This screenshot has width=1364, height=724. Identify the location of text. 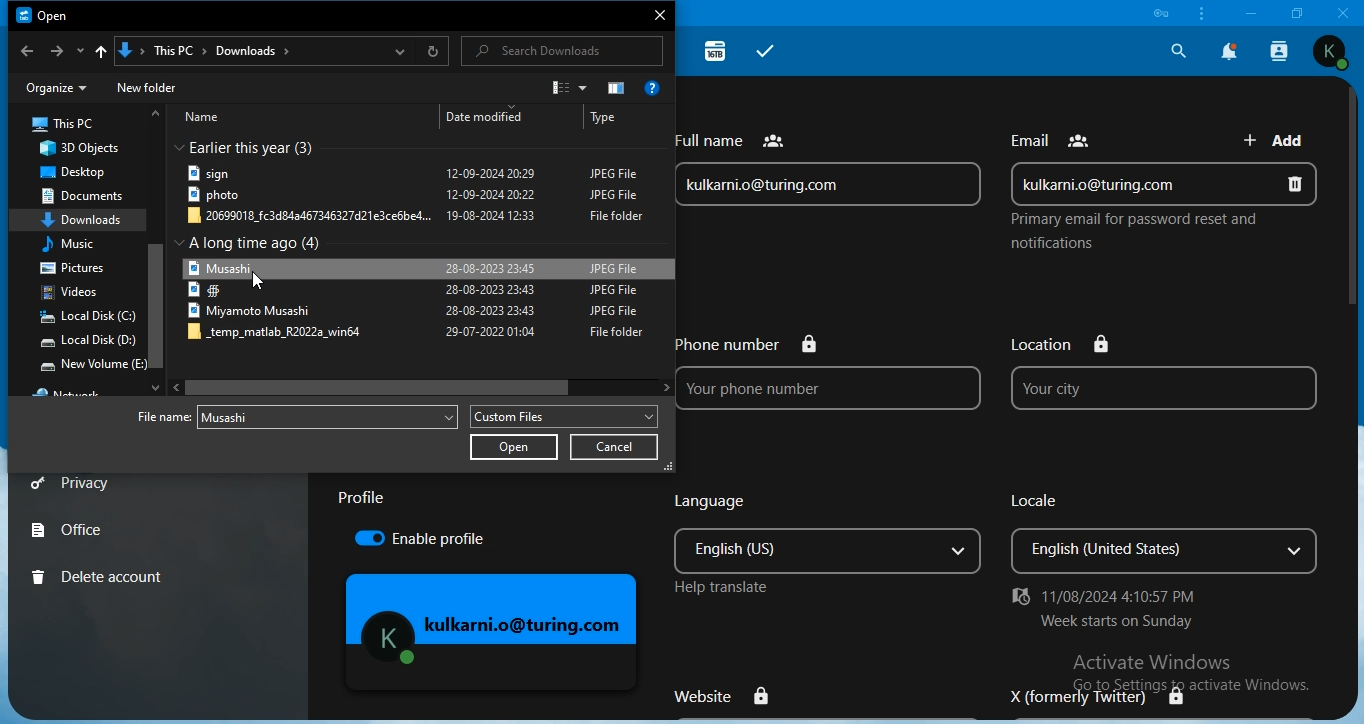
(263, 244).